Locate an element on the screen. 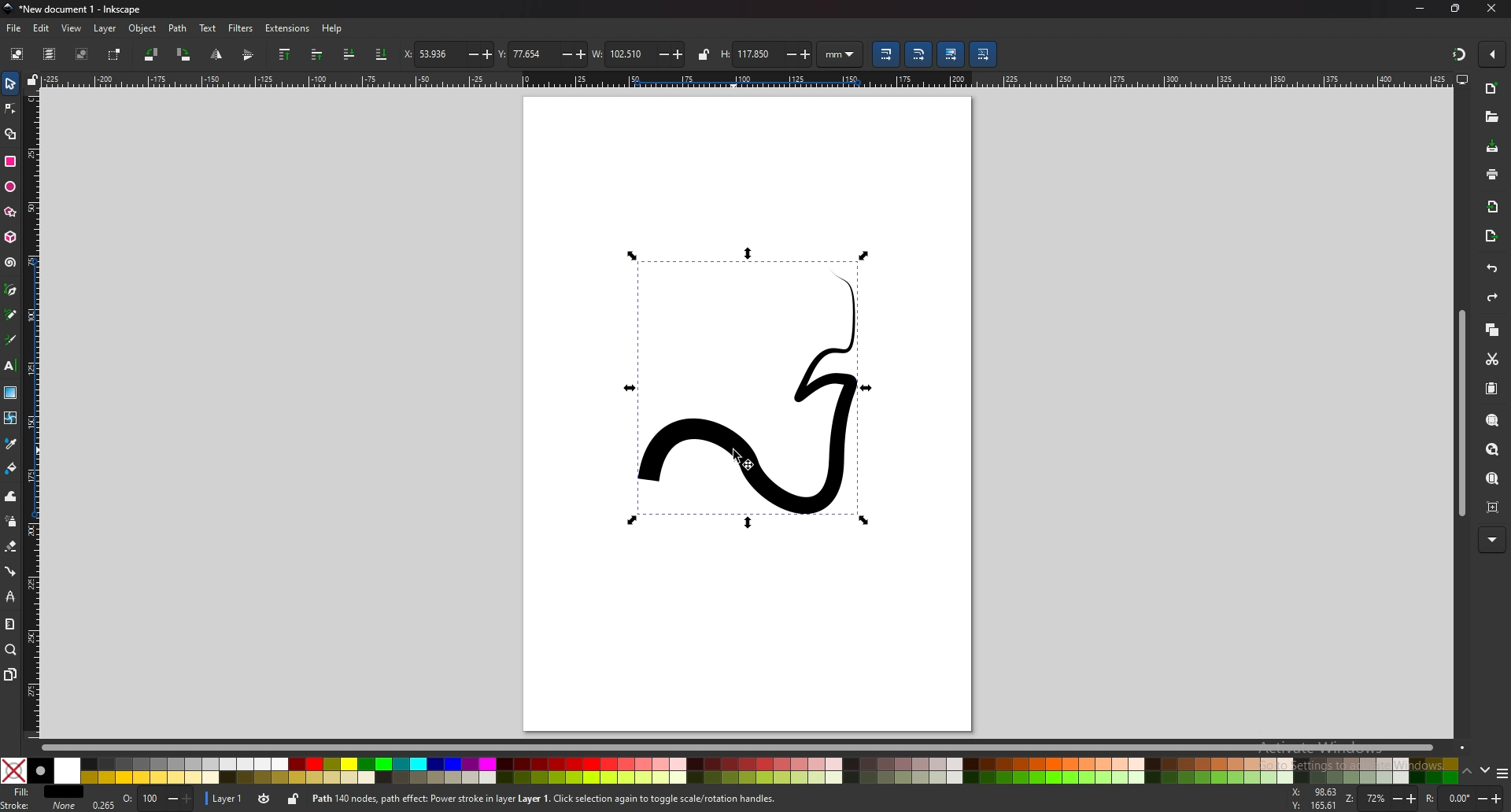  move patterns is located at coordinates (983, 54).